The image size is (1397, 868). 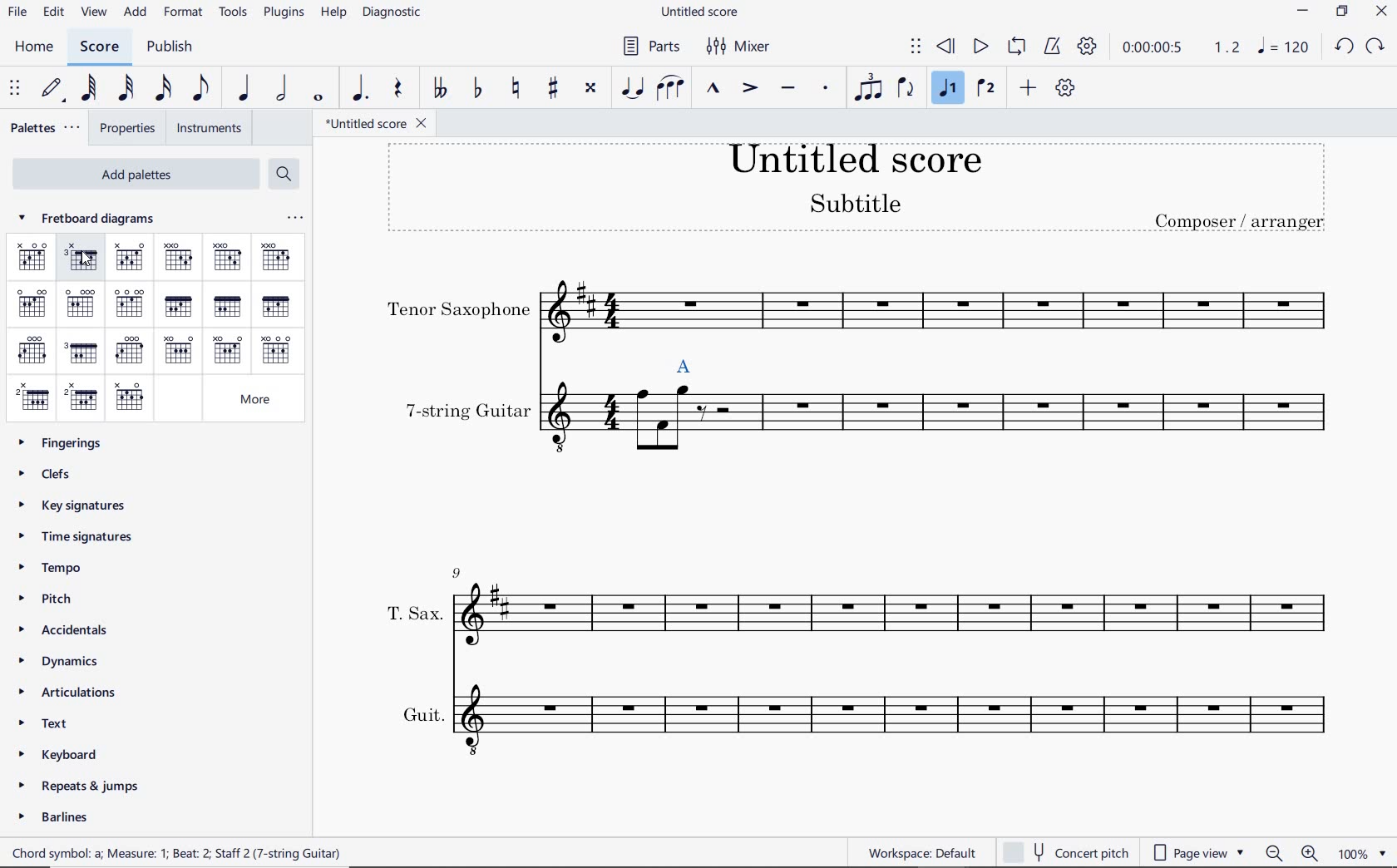 What do you see at coordinates (317, 100) in the screenshot?
I see `WHOLE NOTE` at bounding box center [317, 100].